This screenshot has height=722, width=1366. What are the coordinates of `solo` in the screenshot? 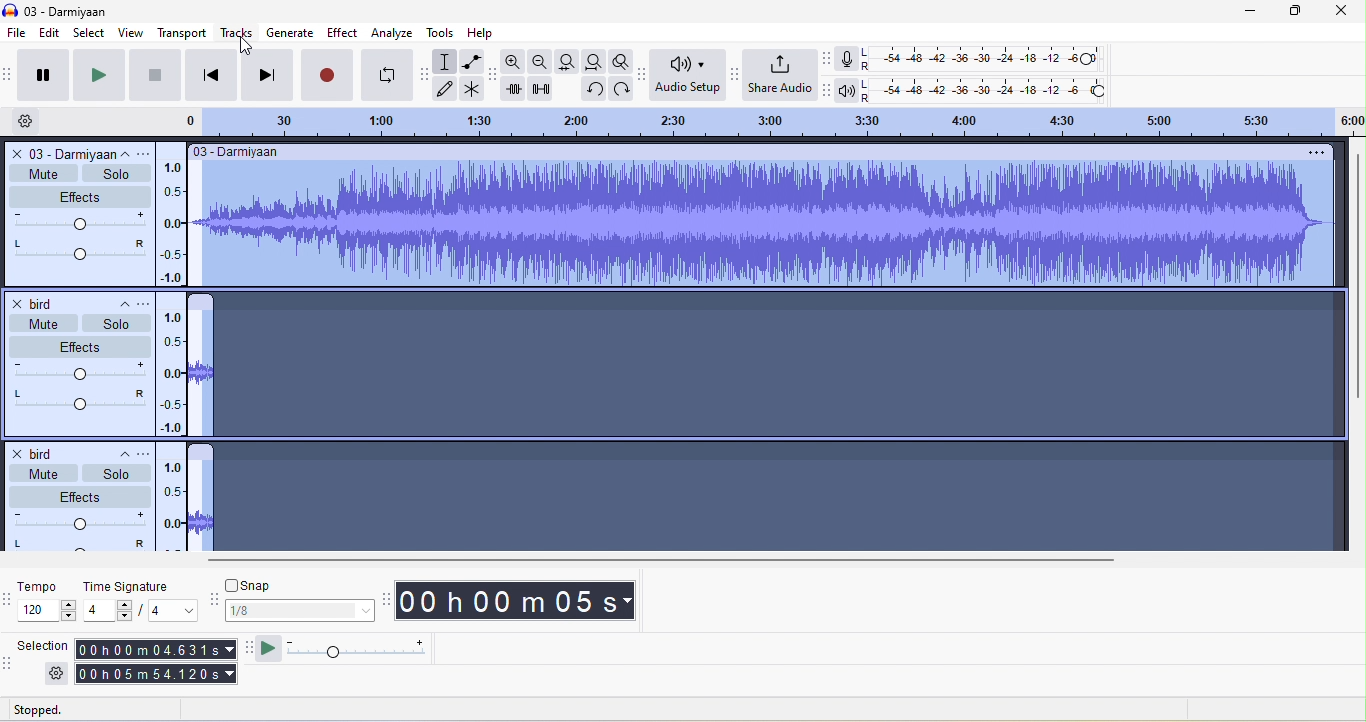 It's located at (116, 473).